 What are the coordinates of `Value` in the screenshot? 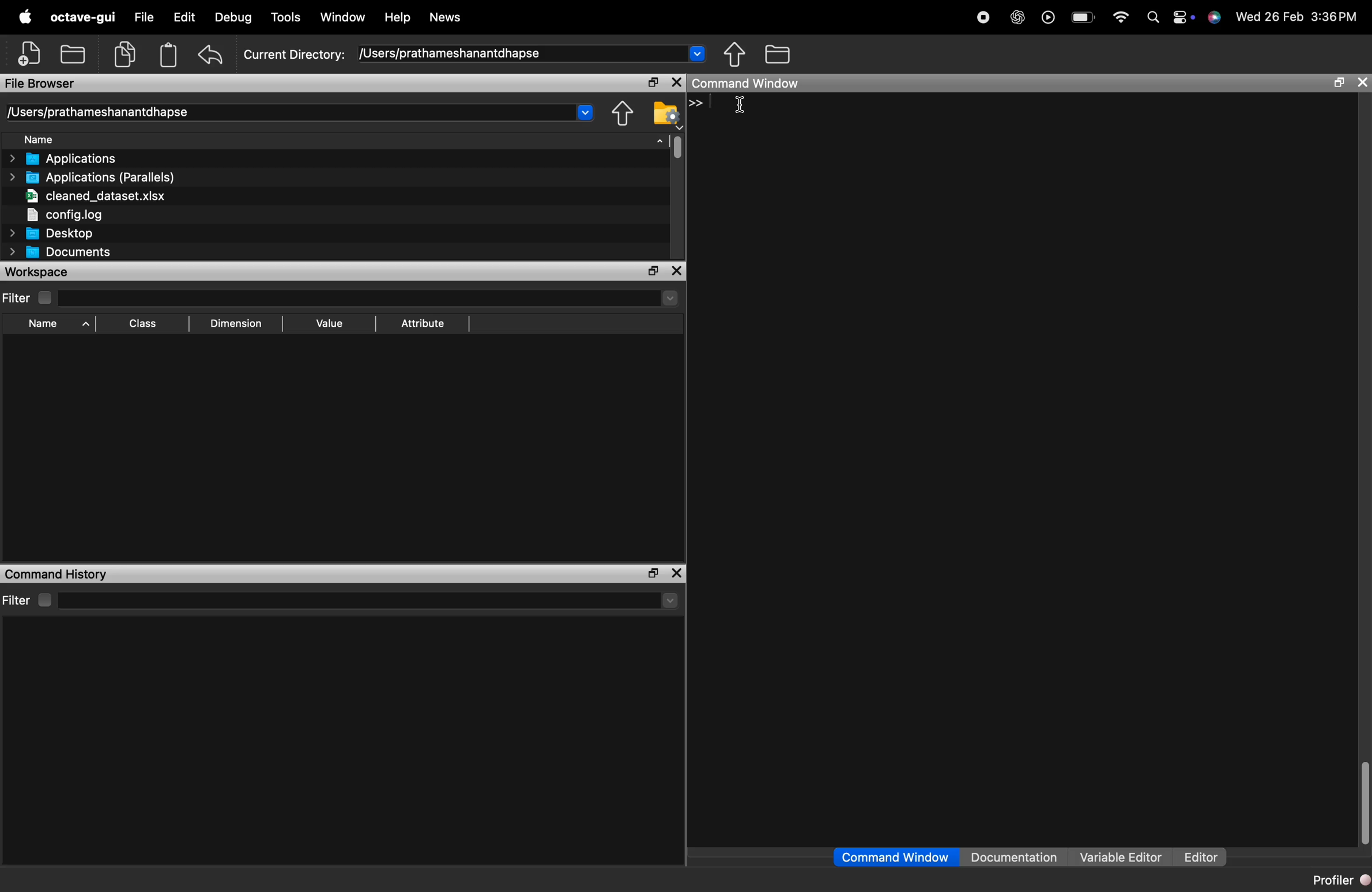 It's located at (326, 326).